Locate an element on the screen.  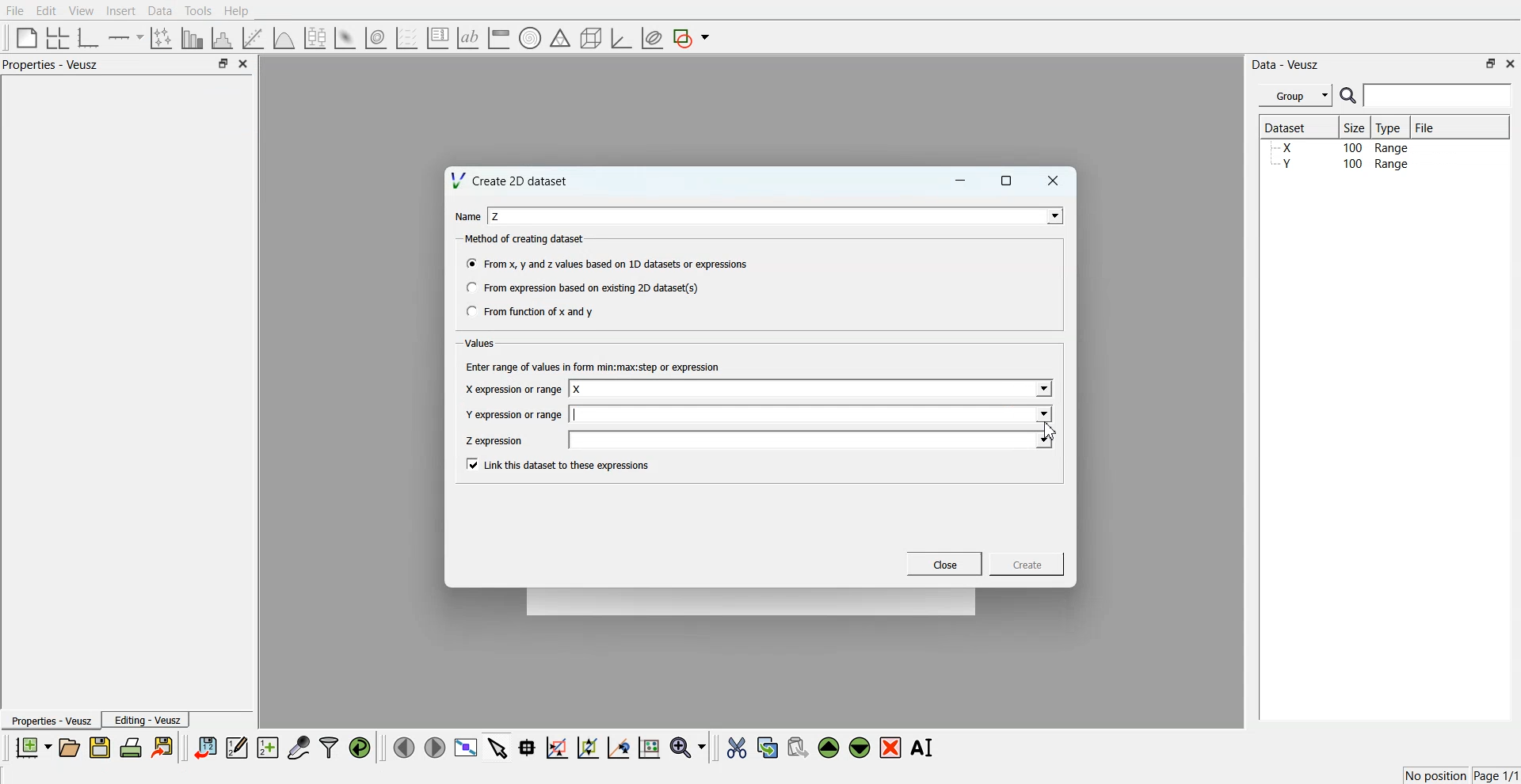
Plot points with lines is located at coordinates (162, 38).